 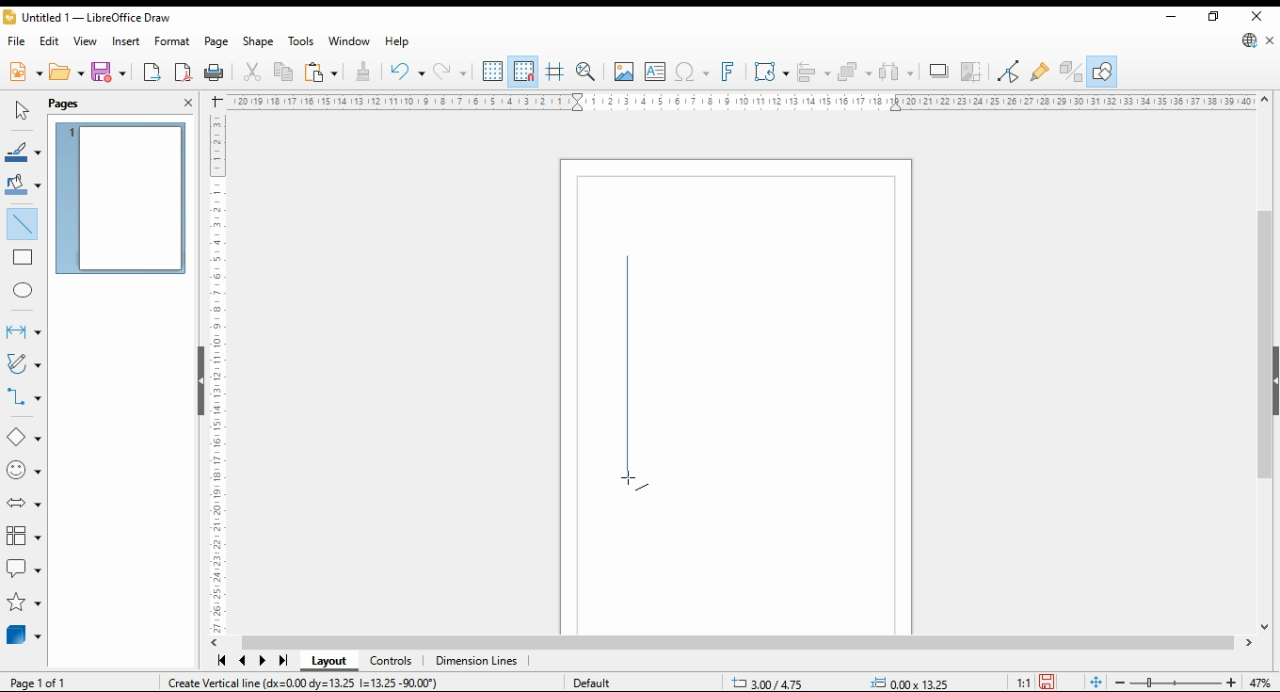 What do you see at coordinates (23, 259) in the screenshot?
I see `rectangle` at bounding box center [23, 259].